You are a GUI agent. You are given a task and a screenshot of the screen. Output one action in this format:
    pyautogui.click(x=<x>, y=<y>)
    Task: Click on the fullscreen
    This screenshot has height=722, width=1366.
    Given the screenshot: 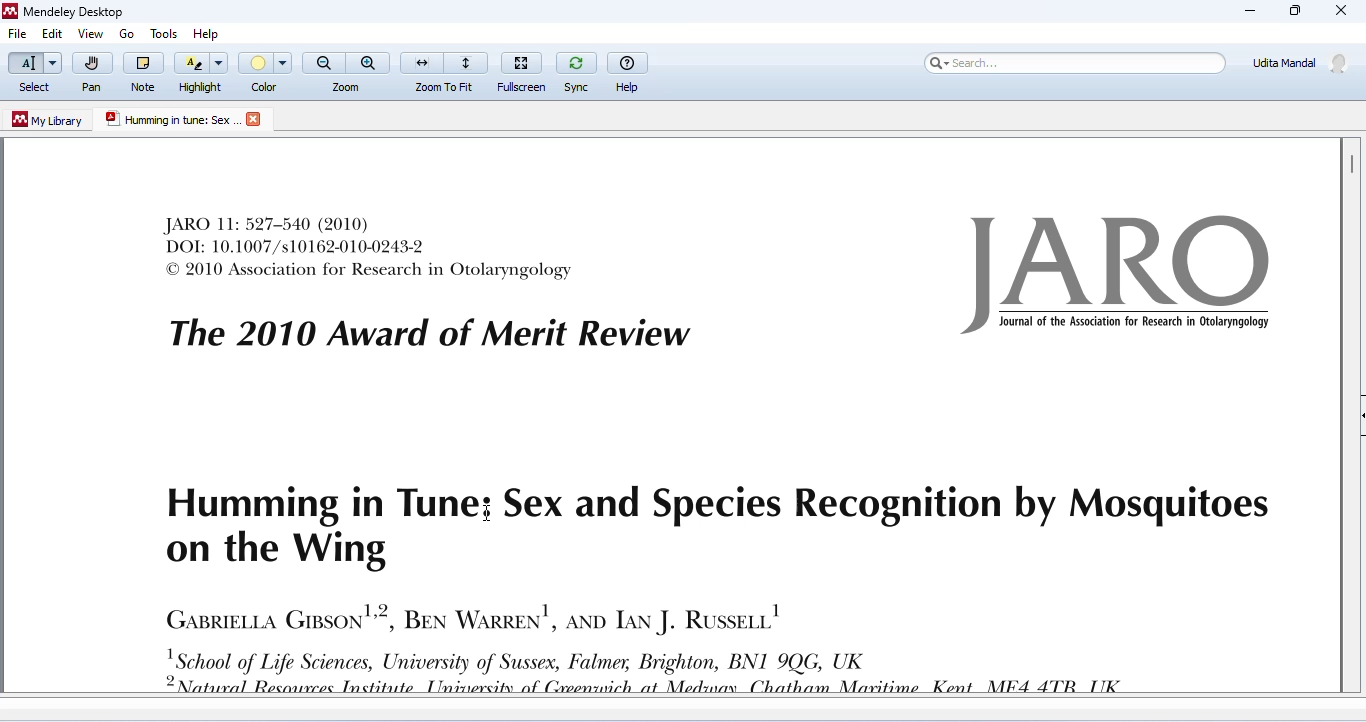 What is the action you would take?
    pyautogui.click(x=524, y=69)
    